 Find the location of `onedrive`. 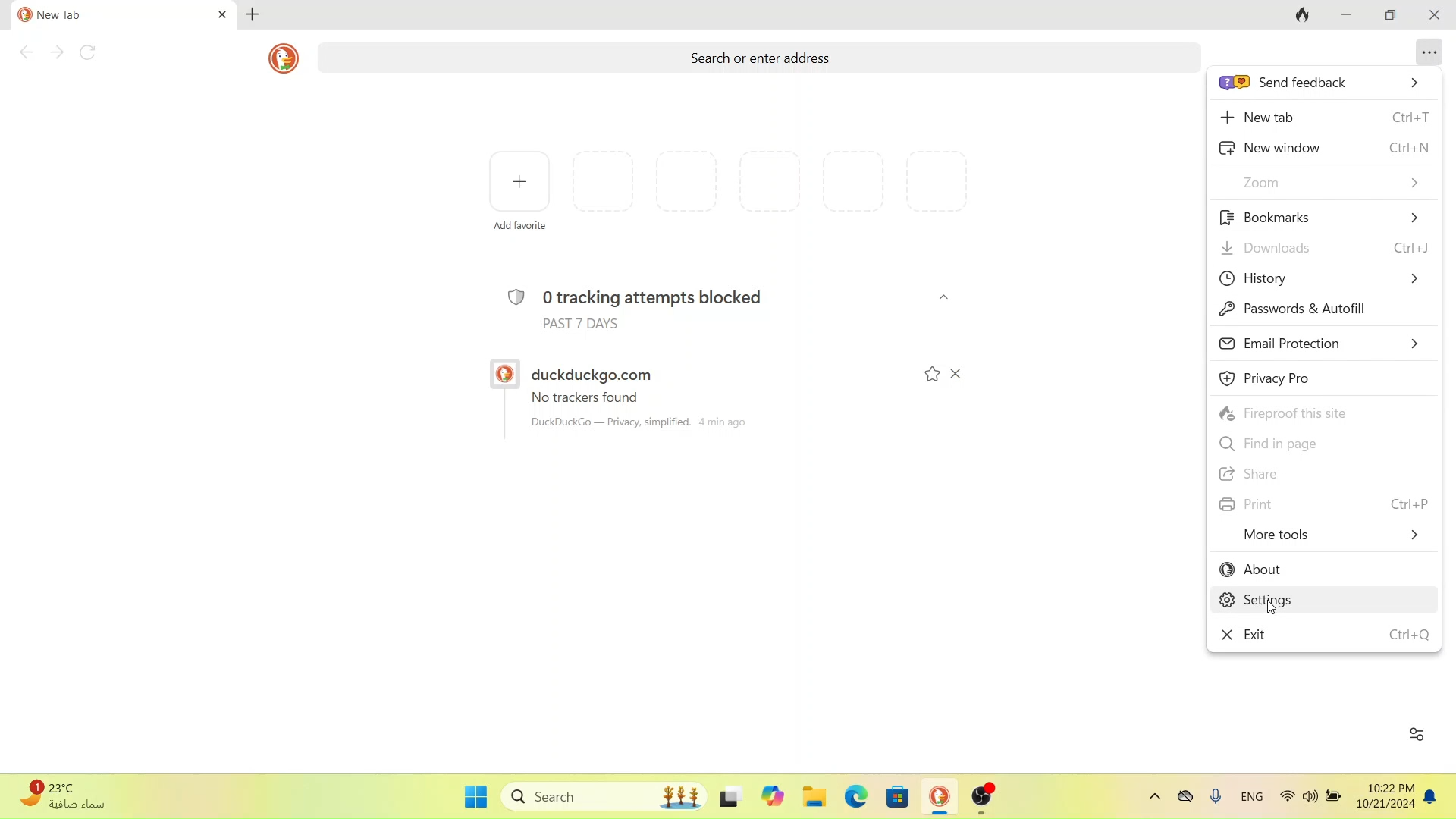

onedrive is located at coordinates (1186, 799).